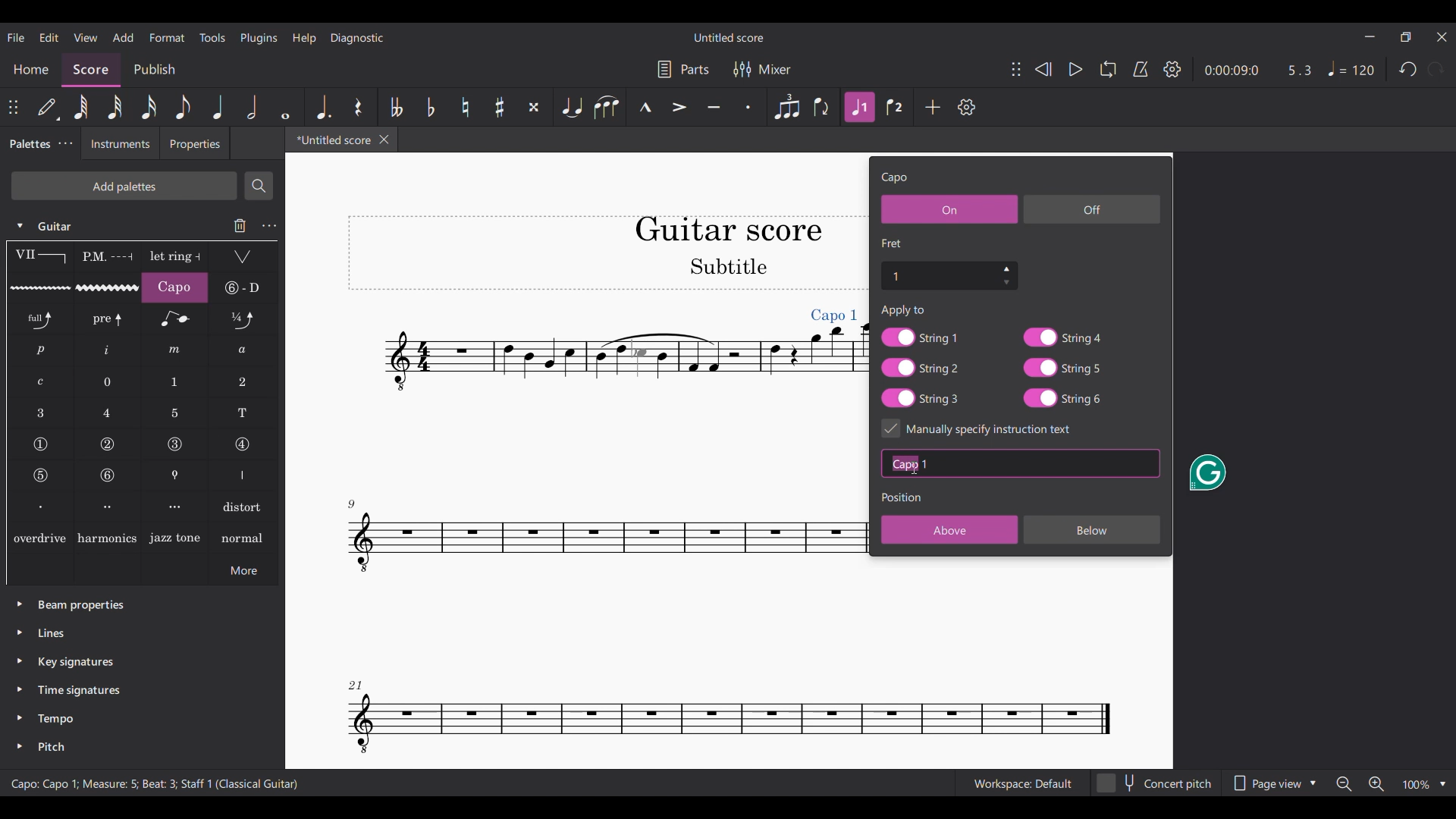  I want to click on Right hand fingering, first finger, so click(39, 506).